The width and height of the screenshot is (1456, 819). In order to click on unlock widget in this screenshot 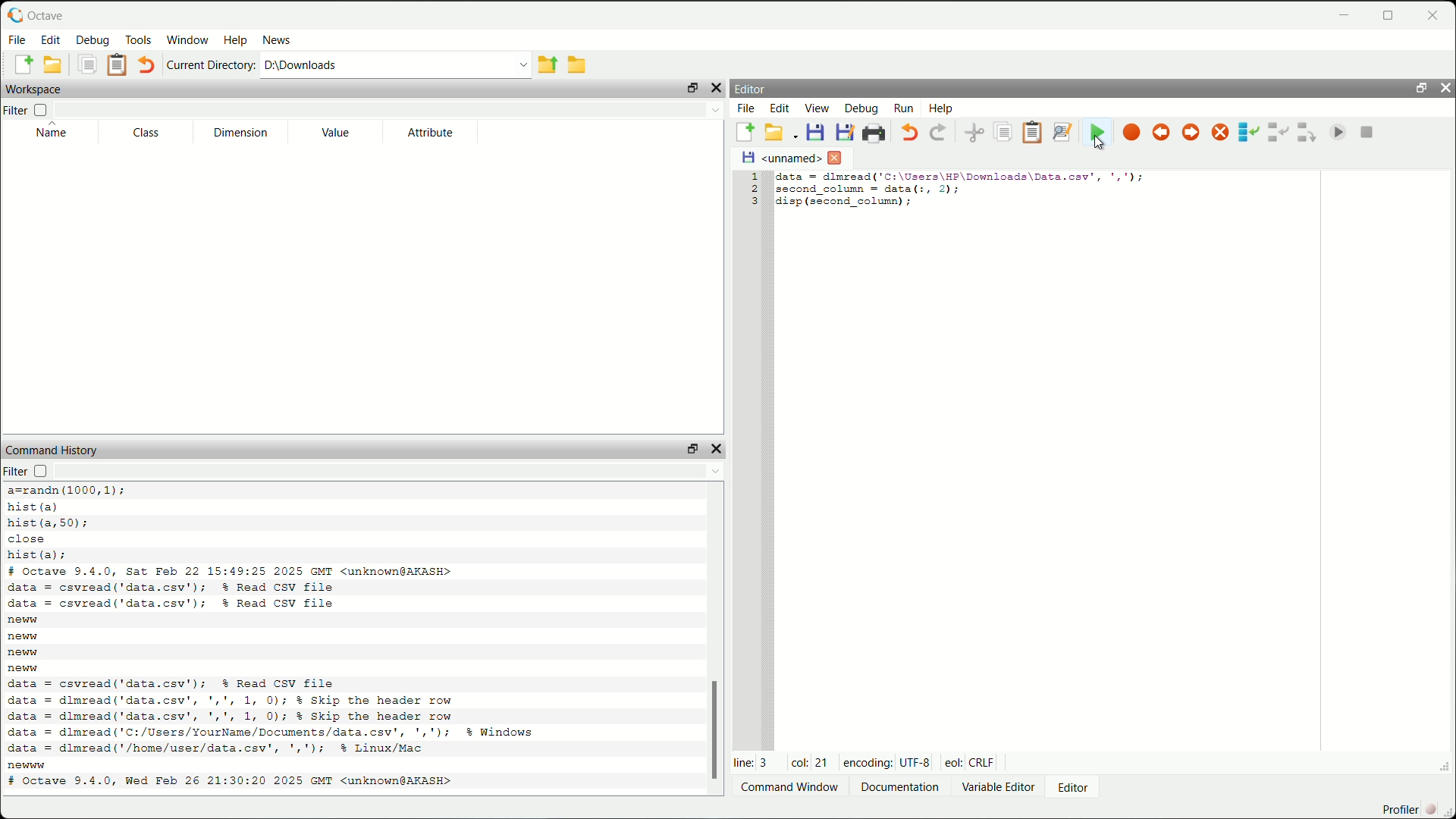, I will do `click(1419, 86)`.